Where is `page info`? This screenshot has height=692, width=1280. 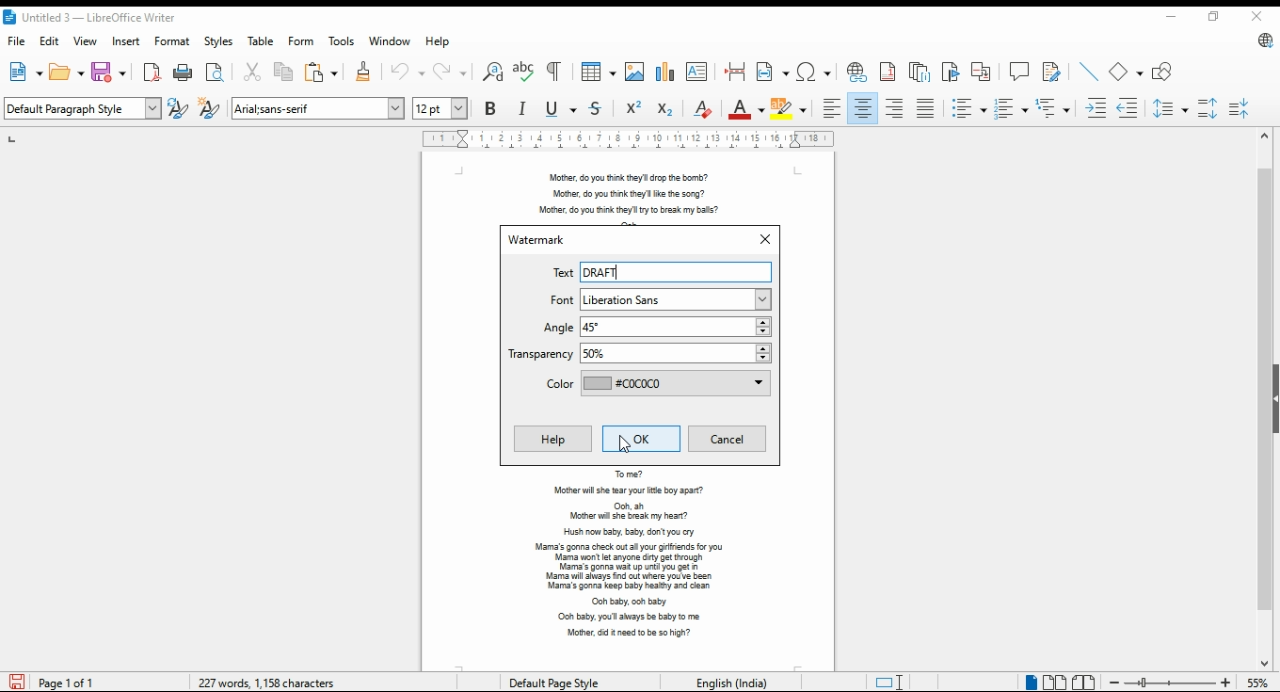
page info is located at coordinates (57, 683).